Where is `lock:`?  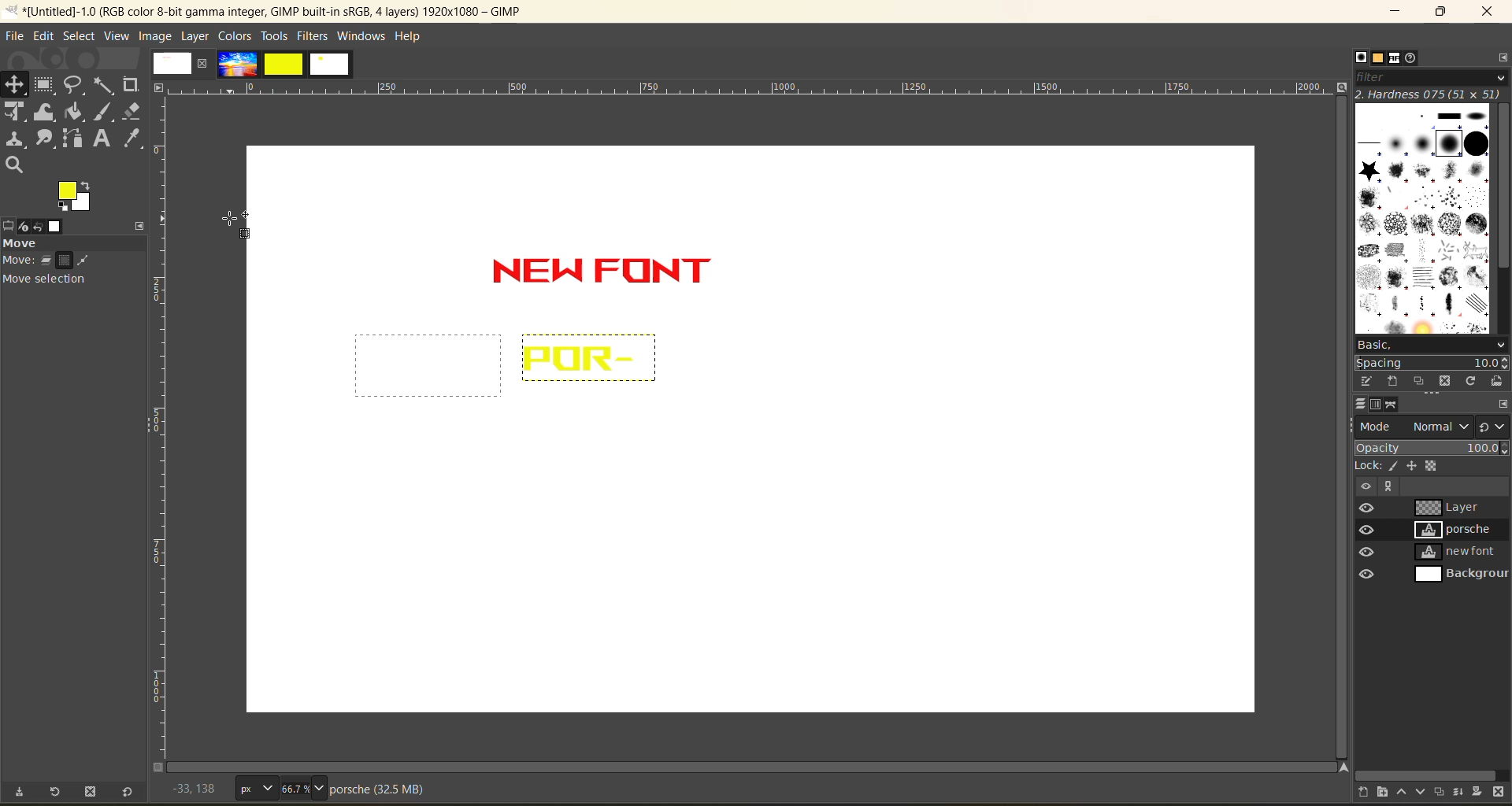 lock: is located at coordinates (1362, 467).